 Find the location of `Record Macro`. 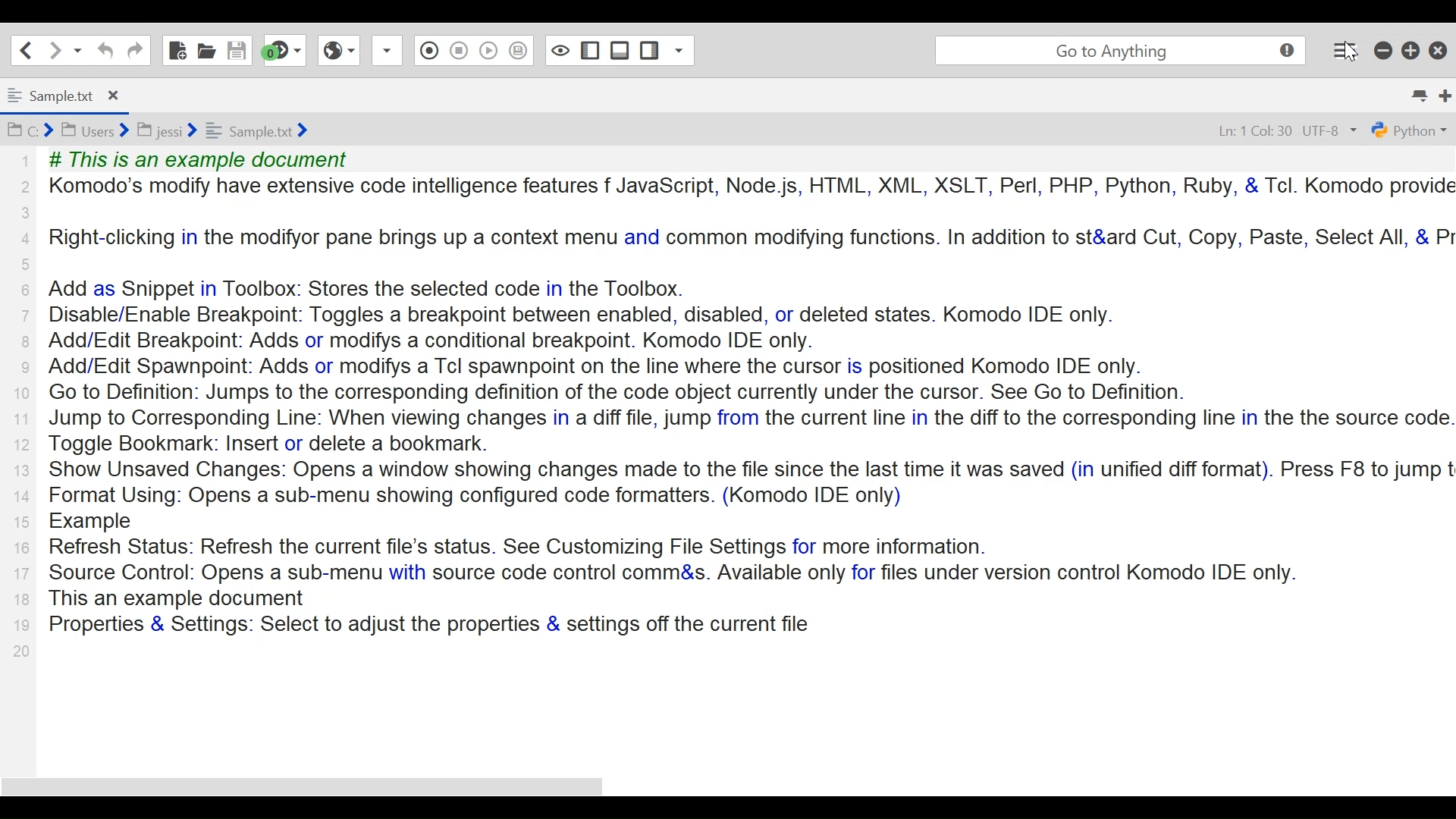

Record Macro is located at coordinates (385, 52).